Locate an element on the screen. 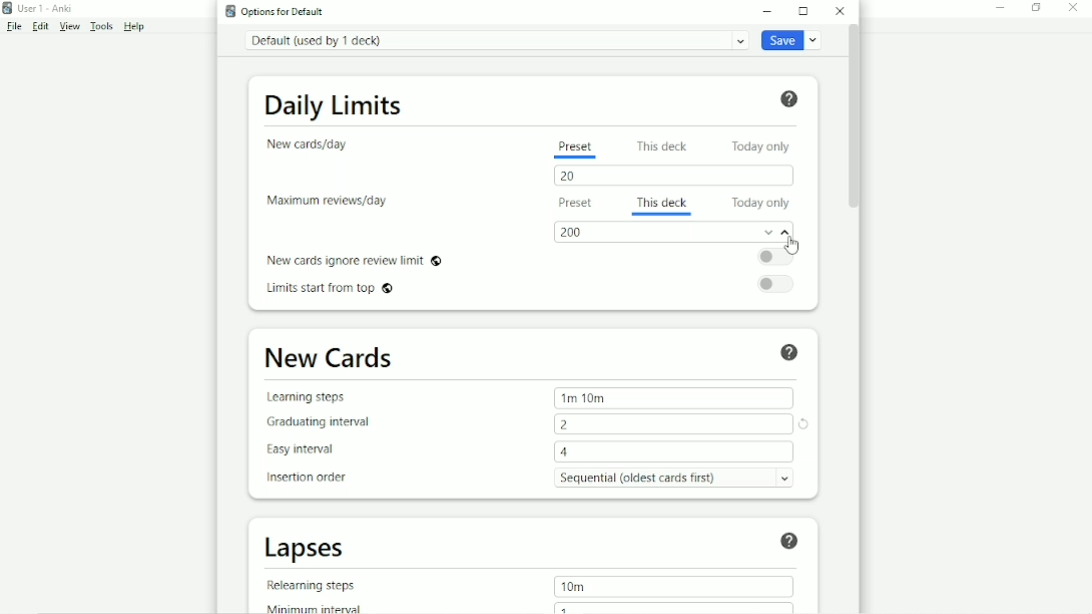  Maximize is located at coordinates (804, 11).